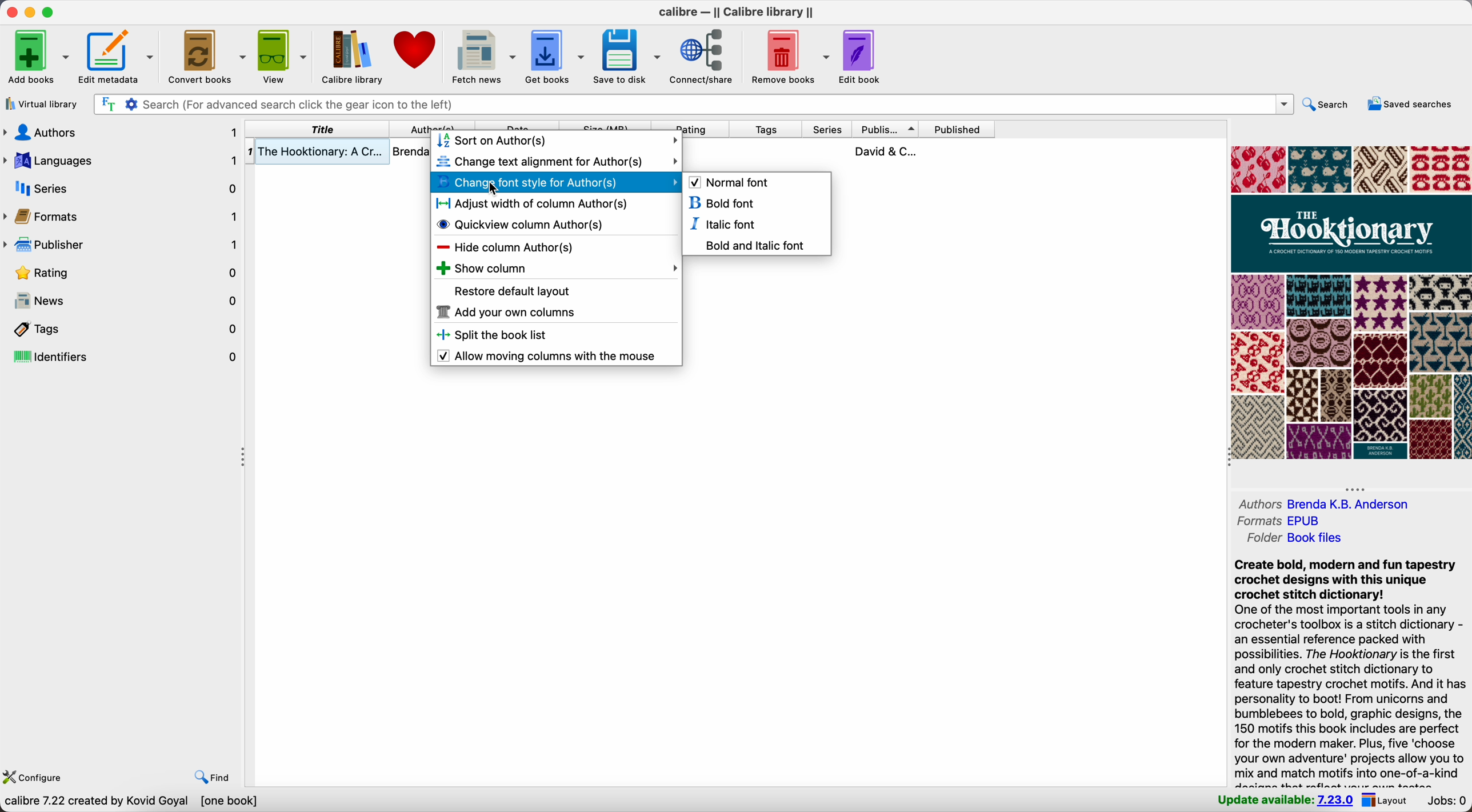 Image resolution: width=1472 pixels, height=812 pixels. Describe the element at coordinates (790, 55) in the screenshot. I see `remove books` at that location.